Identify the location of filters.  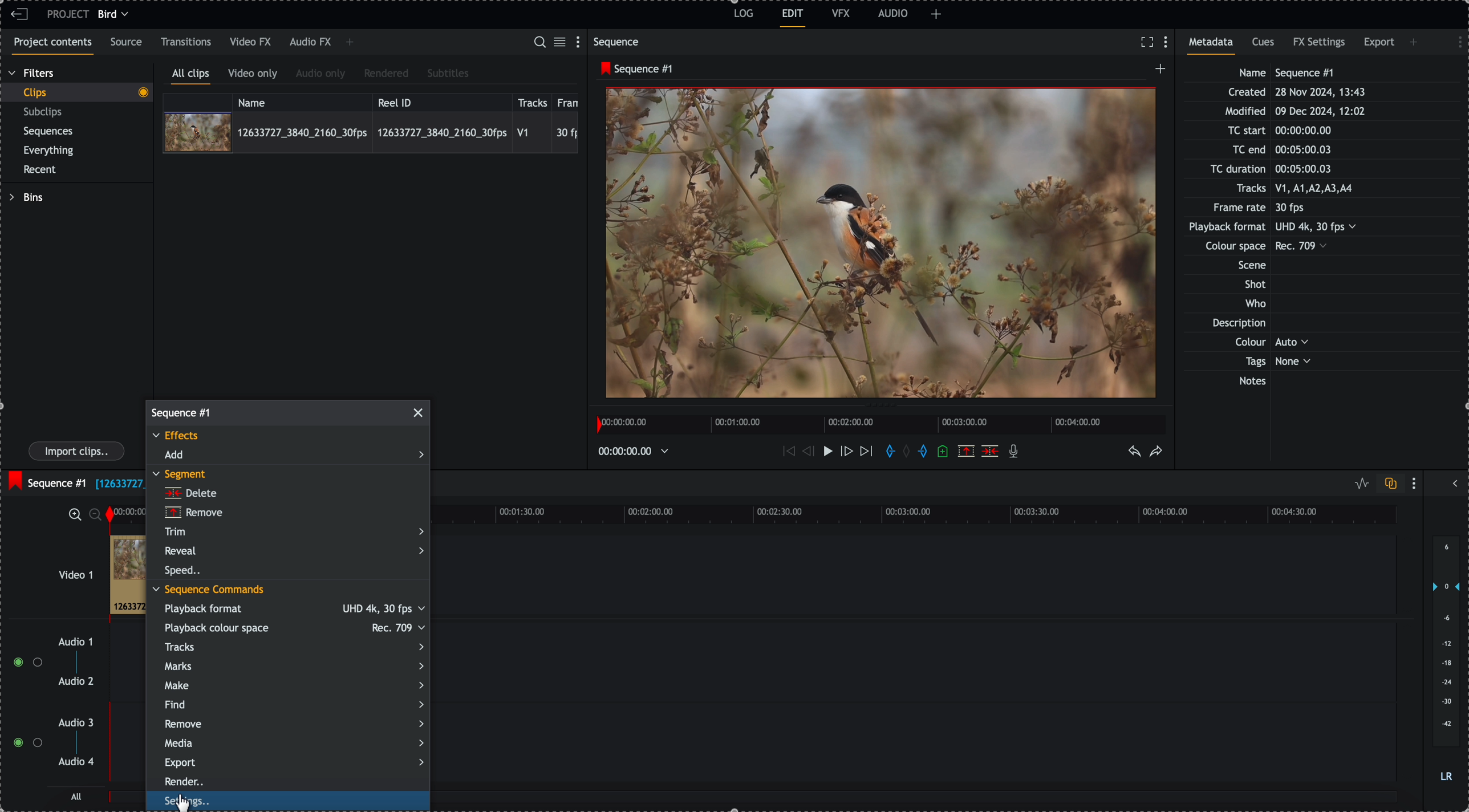
(33, 74).